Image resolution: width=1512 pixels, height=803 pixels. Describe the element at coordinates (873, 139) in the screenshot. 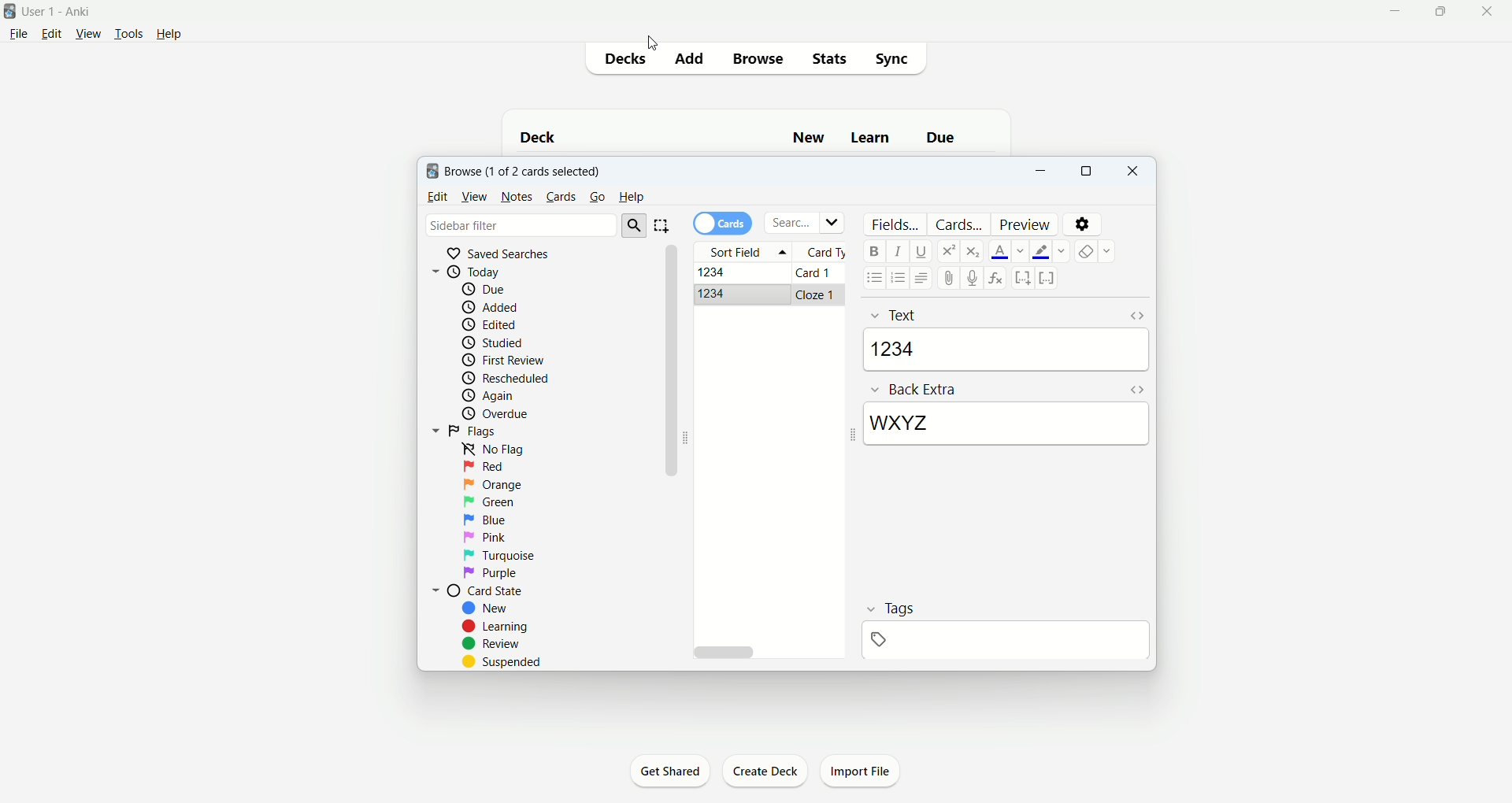

I see `learn` at that location.